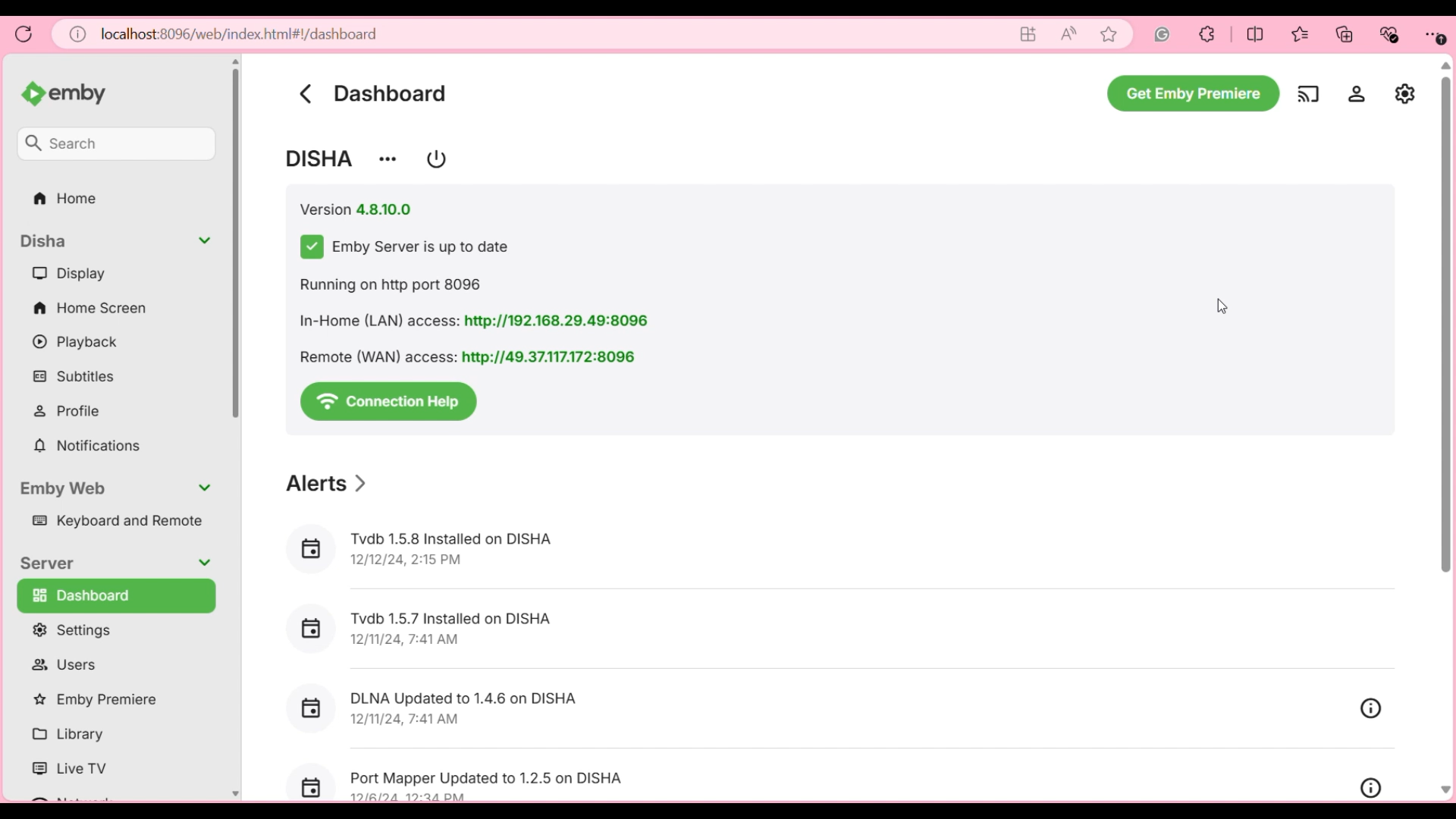 The width and height of the screenshot is (1456, 819). Describe the element at coordinates (1109, 34) in the screenshot. I see `Add current web page to favorites` at that location.